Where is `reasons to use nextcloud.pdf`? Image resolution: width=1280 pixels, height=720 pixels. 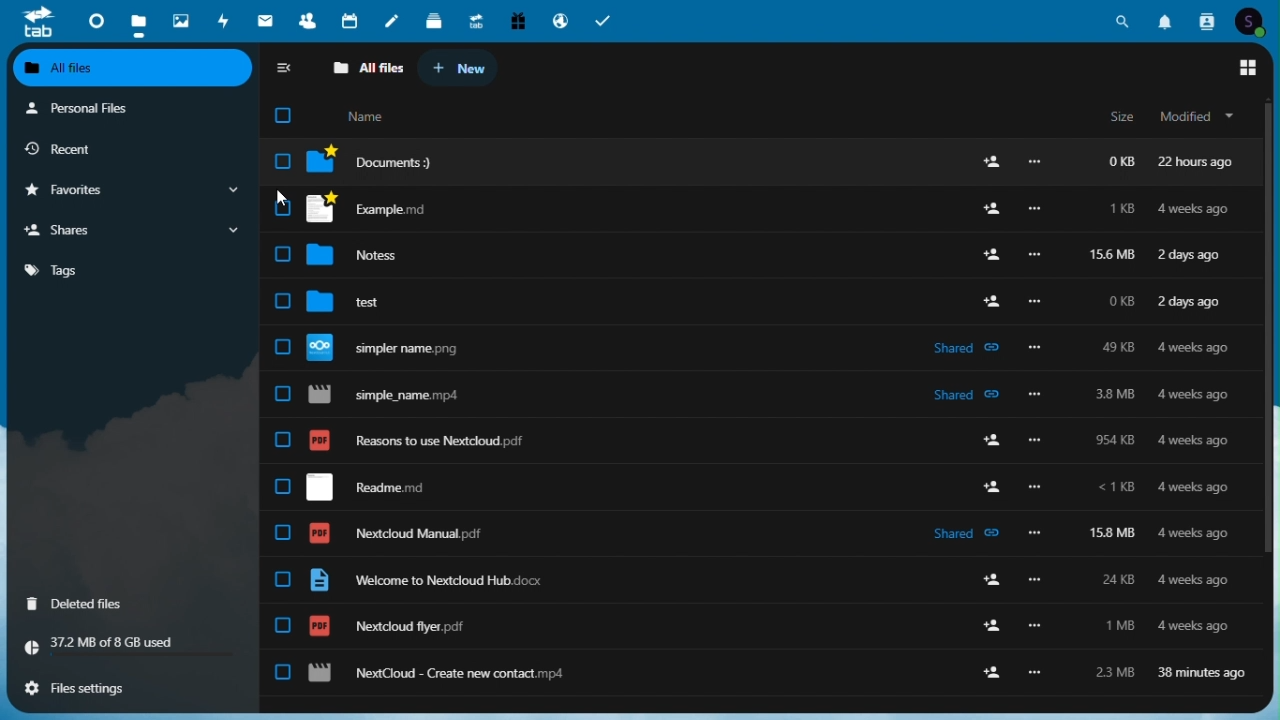 reasons to use nextcloud.pdf is located at coordinates (439, 443).